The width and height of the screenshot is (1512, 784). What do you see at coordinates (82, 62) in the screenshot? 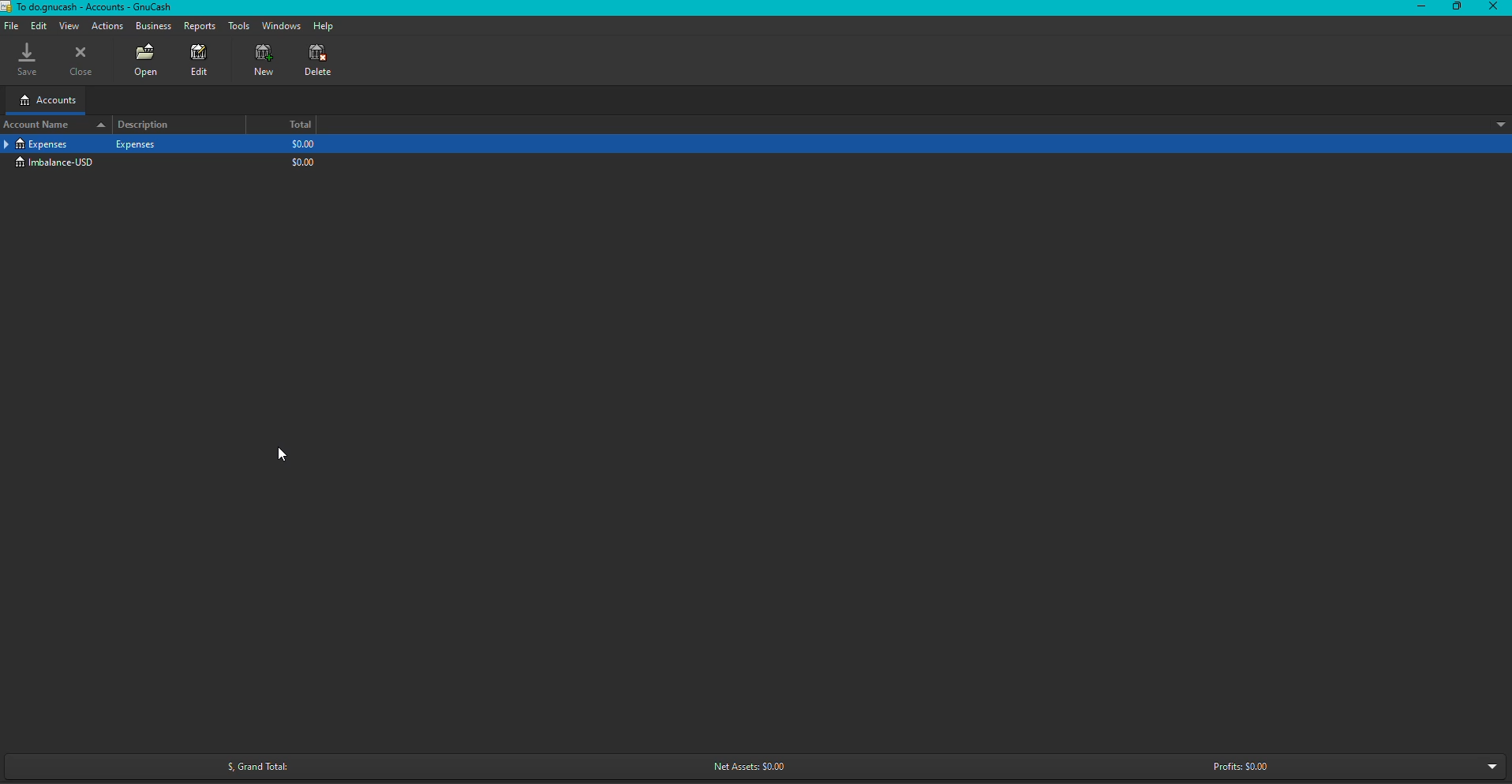
I see `Close` at bounding box center [82, 62].